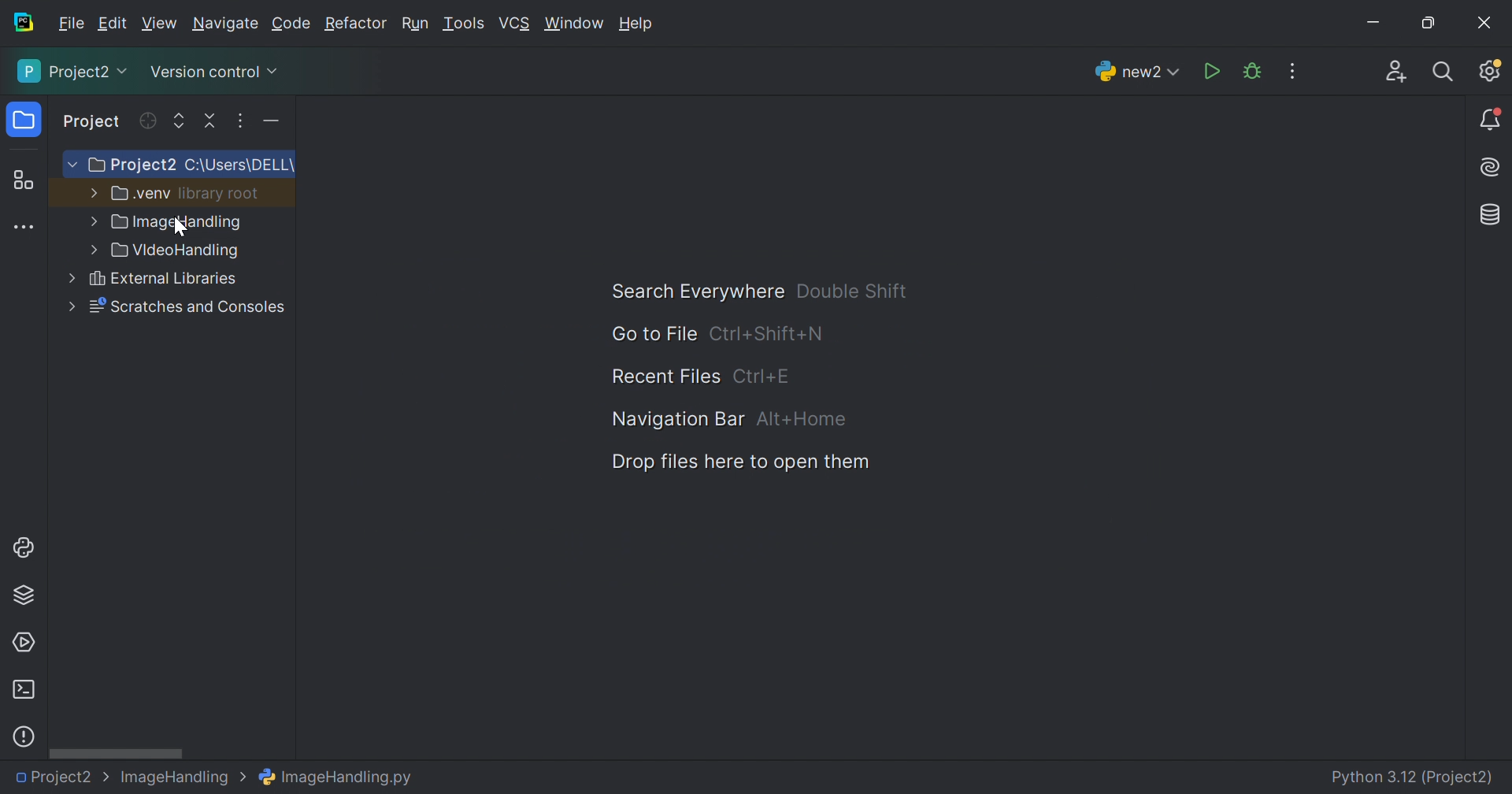 The height and width of the screenshot is (794, 1512). I want to click on C:\Users\DELL\, so click(239, 165).